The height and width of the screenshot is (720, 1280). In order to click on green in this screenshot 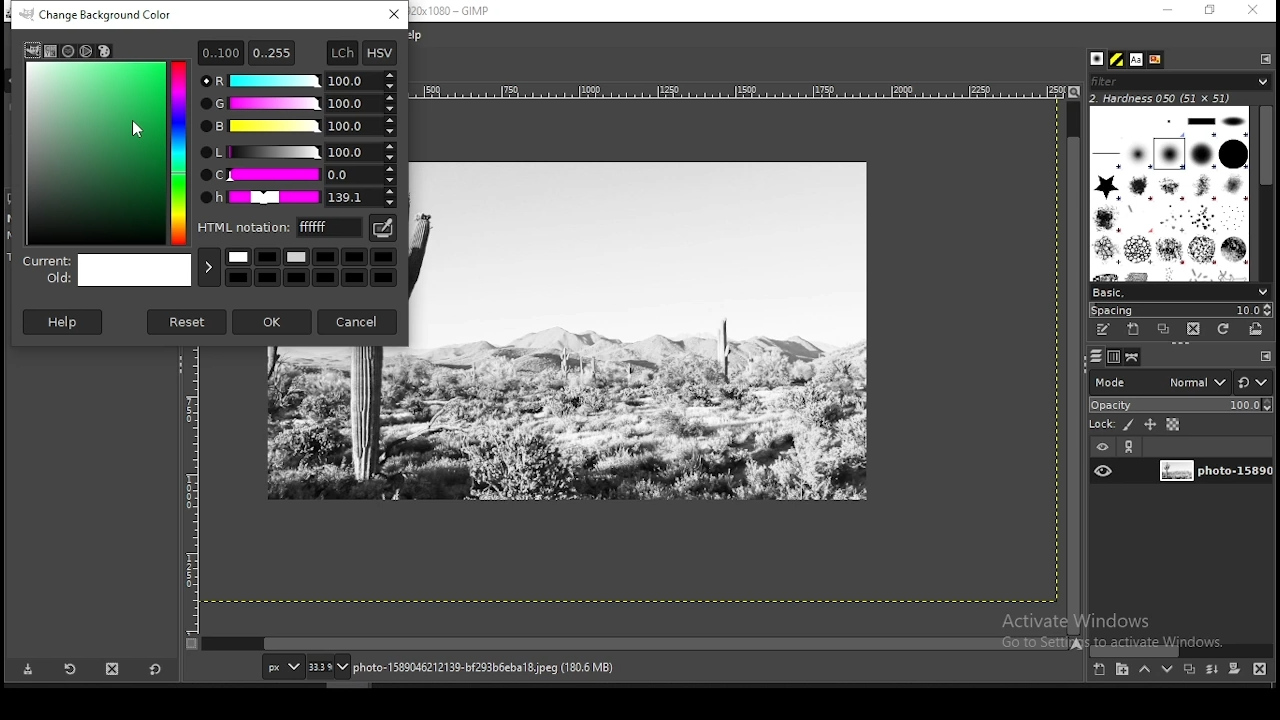, I will do `click(297, 104)`.